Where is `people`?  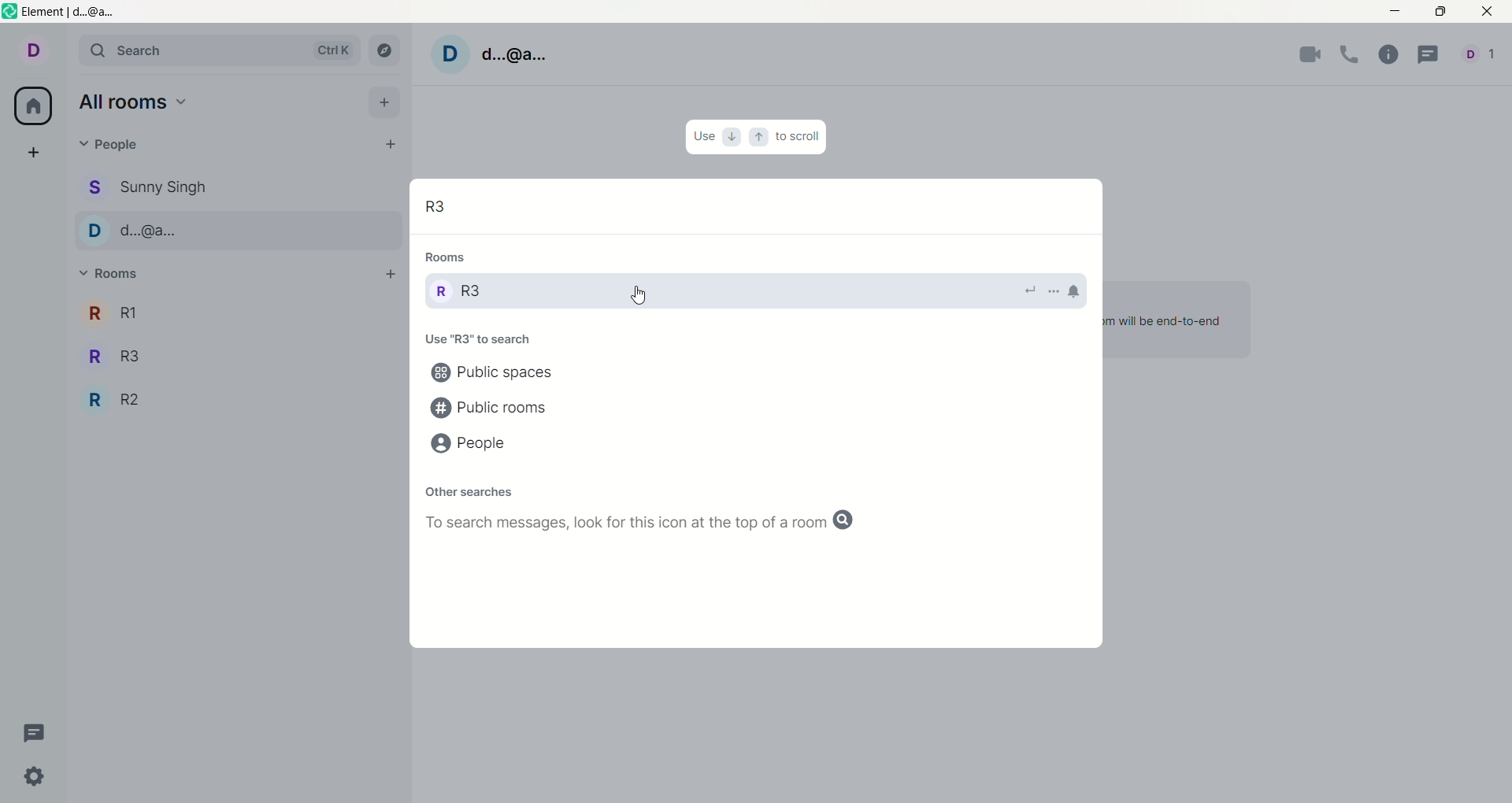
people is located at coordinates (472, 446).